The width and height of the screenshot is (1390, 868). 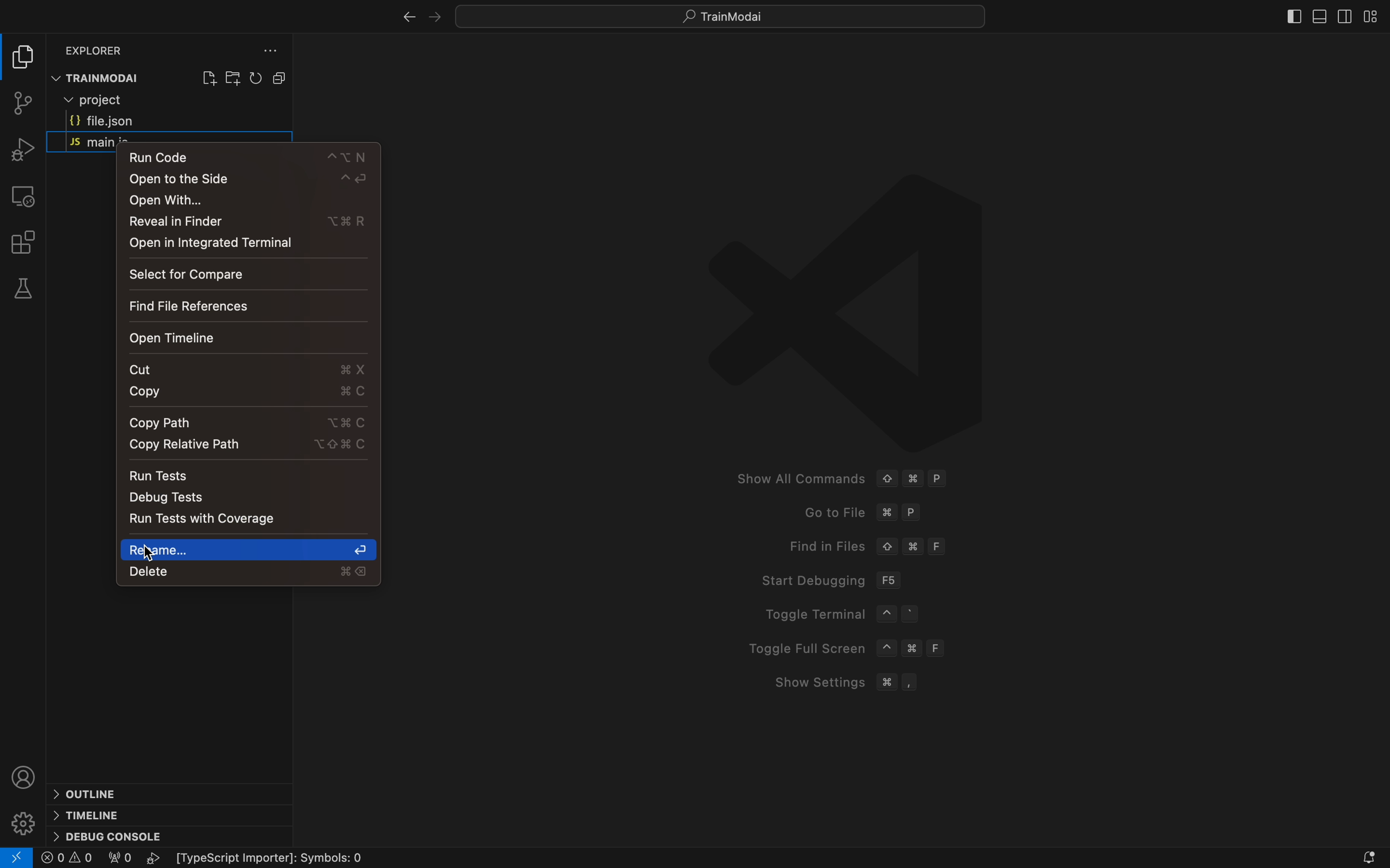 What do you see at coordinates (248, 304) in the screenshot?
I see `file reference ` at bounding box center [248, 304].